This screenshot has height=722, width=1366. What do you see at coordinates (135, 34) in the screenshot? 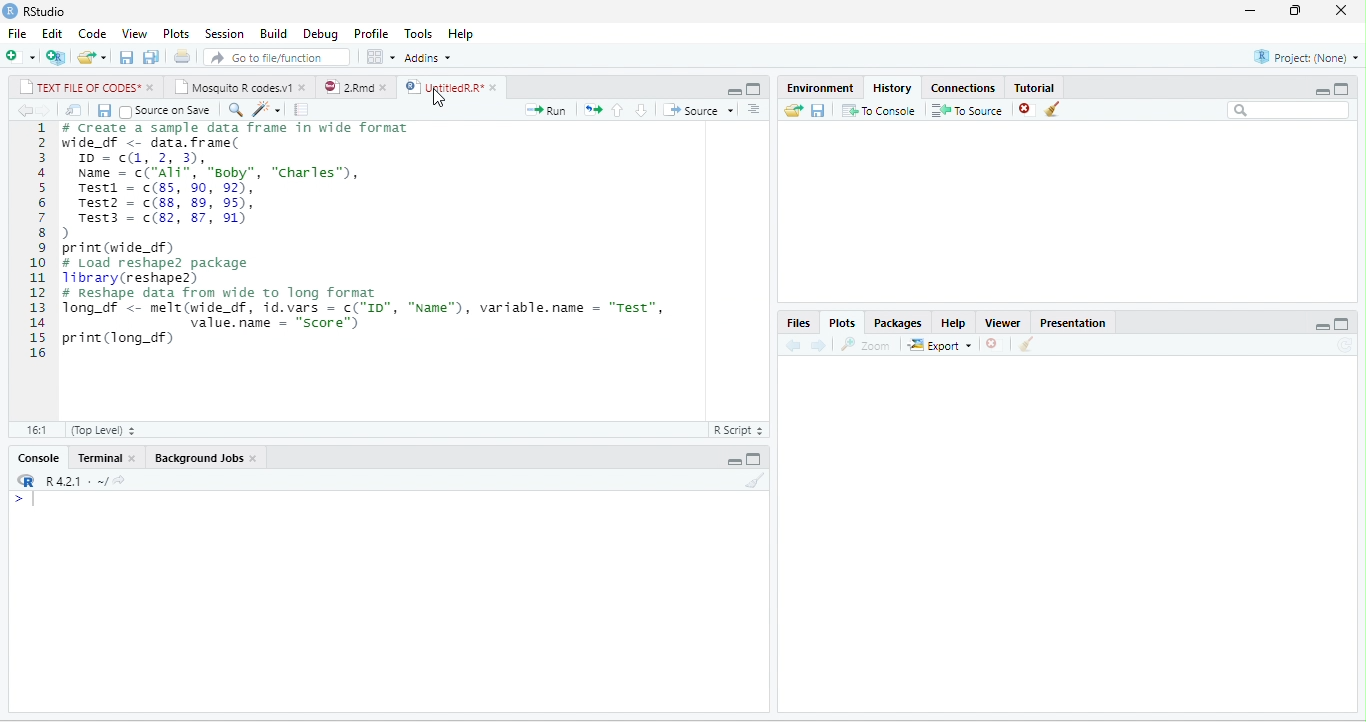
I see `View` at bounding box center [135, 34].